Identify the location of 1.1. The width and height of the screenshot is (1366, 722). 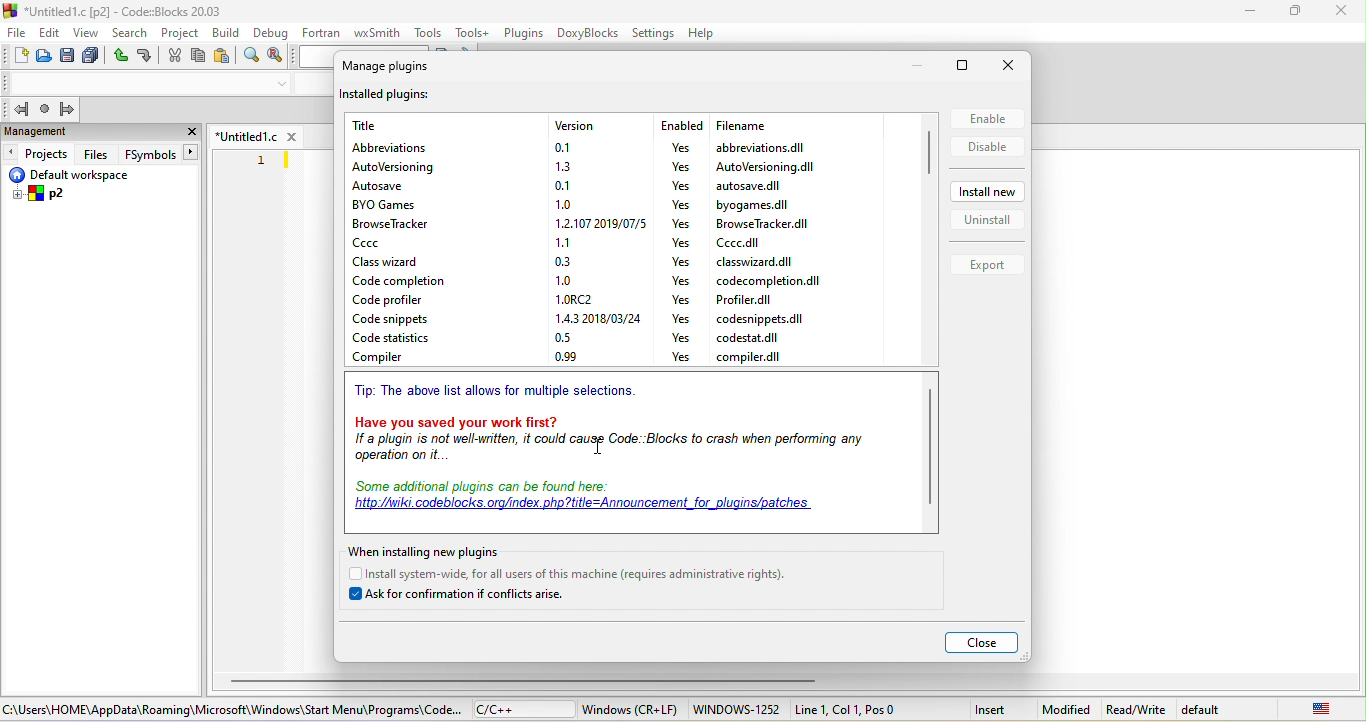
(567, 241).